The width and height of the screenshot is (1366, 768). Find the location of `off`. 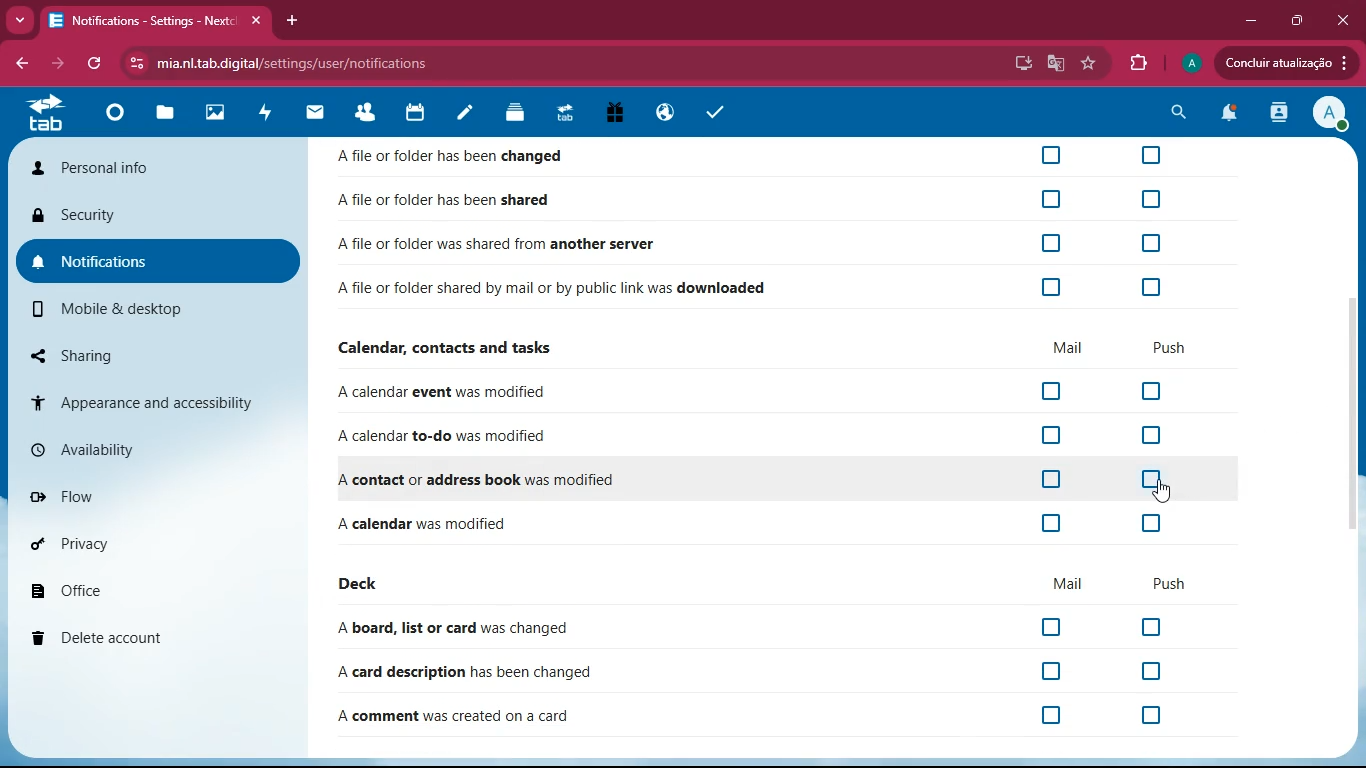

off is located at coordinates (1047, 481).